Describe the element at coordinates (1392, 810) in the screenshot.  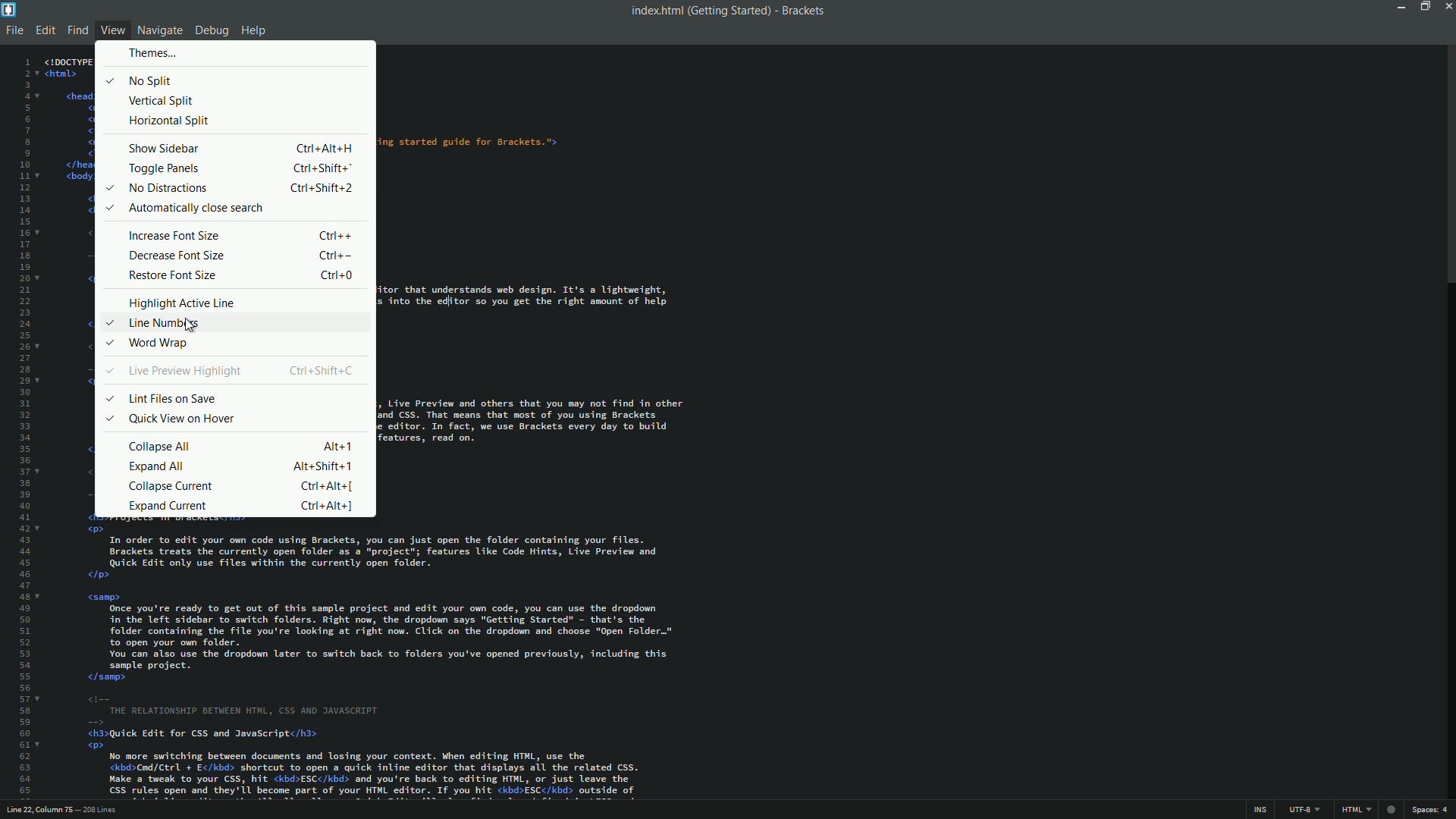
I see `icon` at that location.